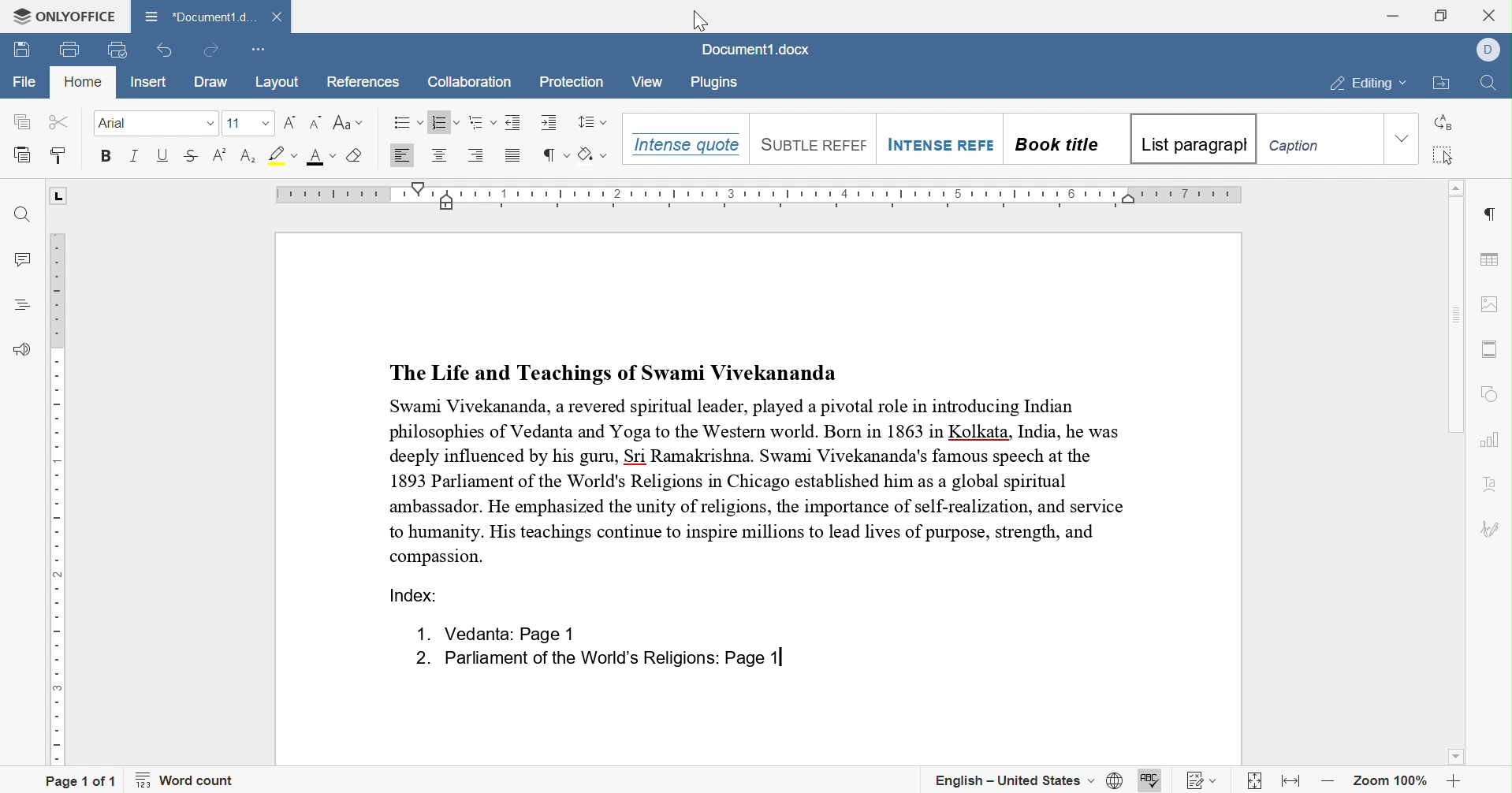 The image size is (1512, 793). I want to click on feedback and support, so click(24, 351).